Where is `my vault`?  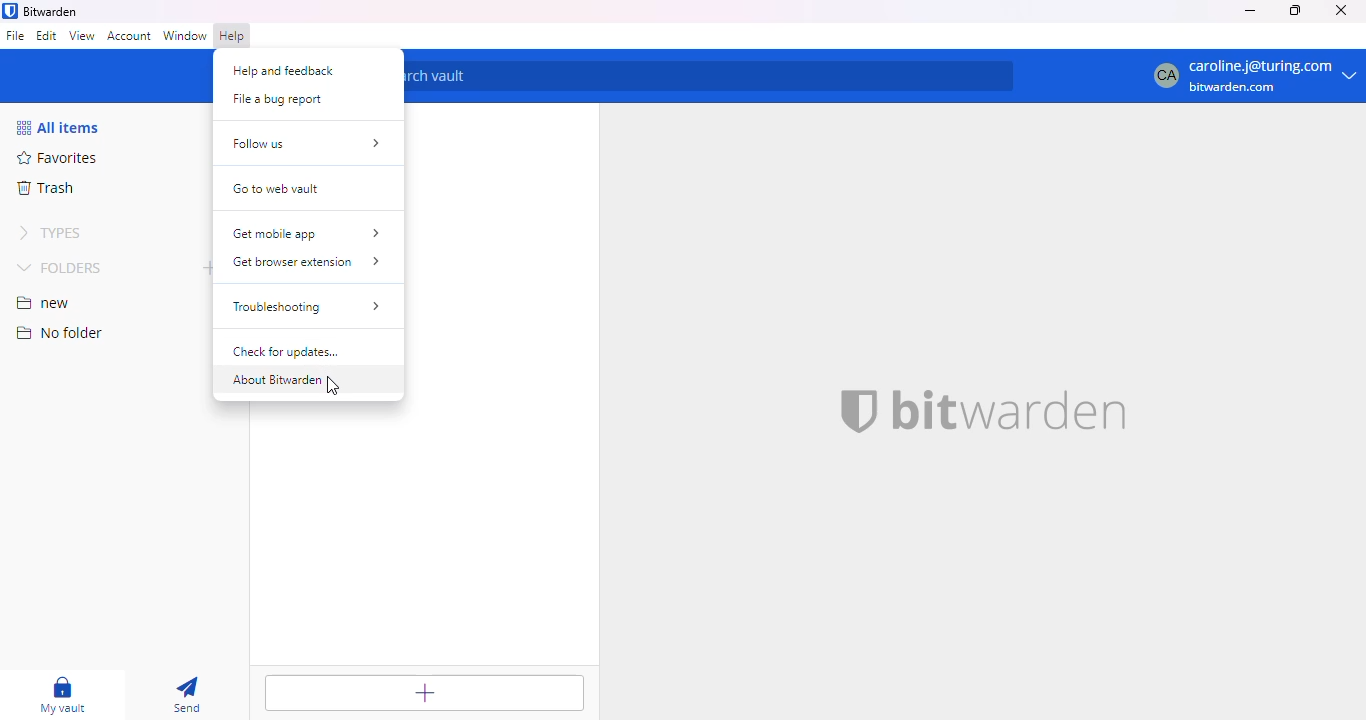
my vault is located at coordinates (63, 695).